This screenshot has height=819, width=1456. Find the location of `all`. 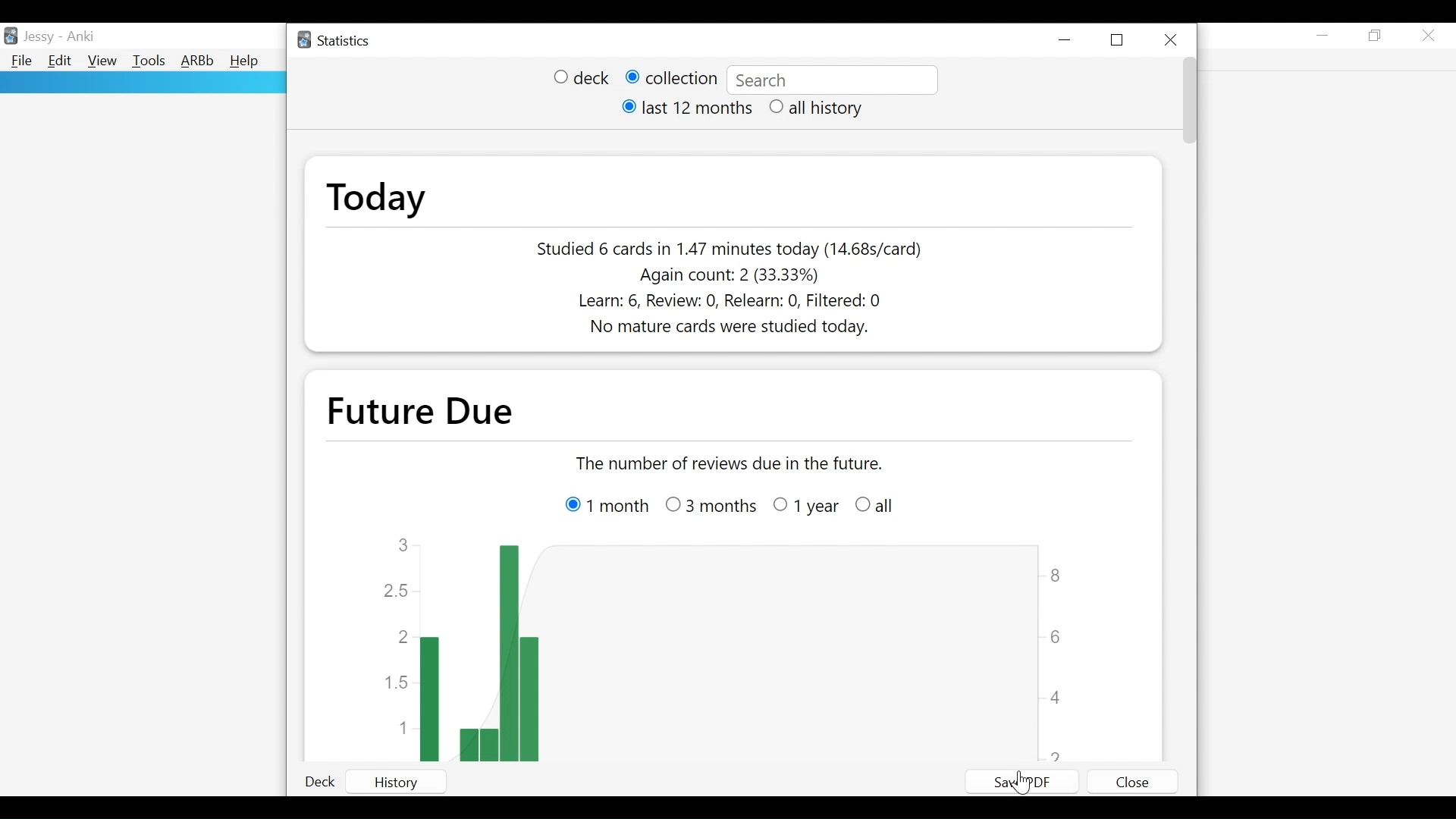

all is located at coordinates (890, 503).